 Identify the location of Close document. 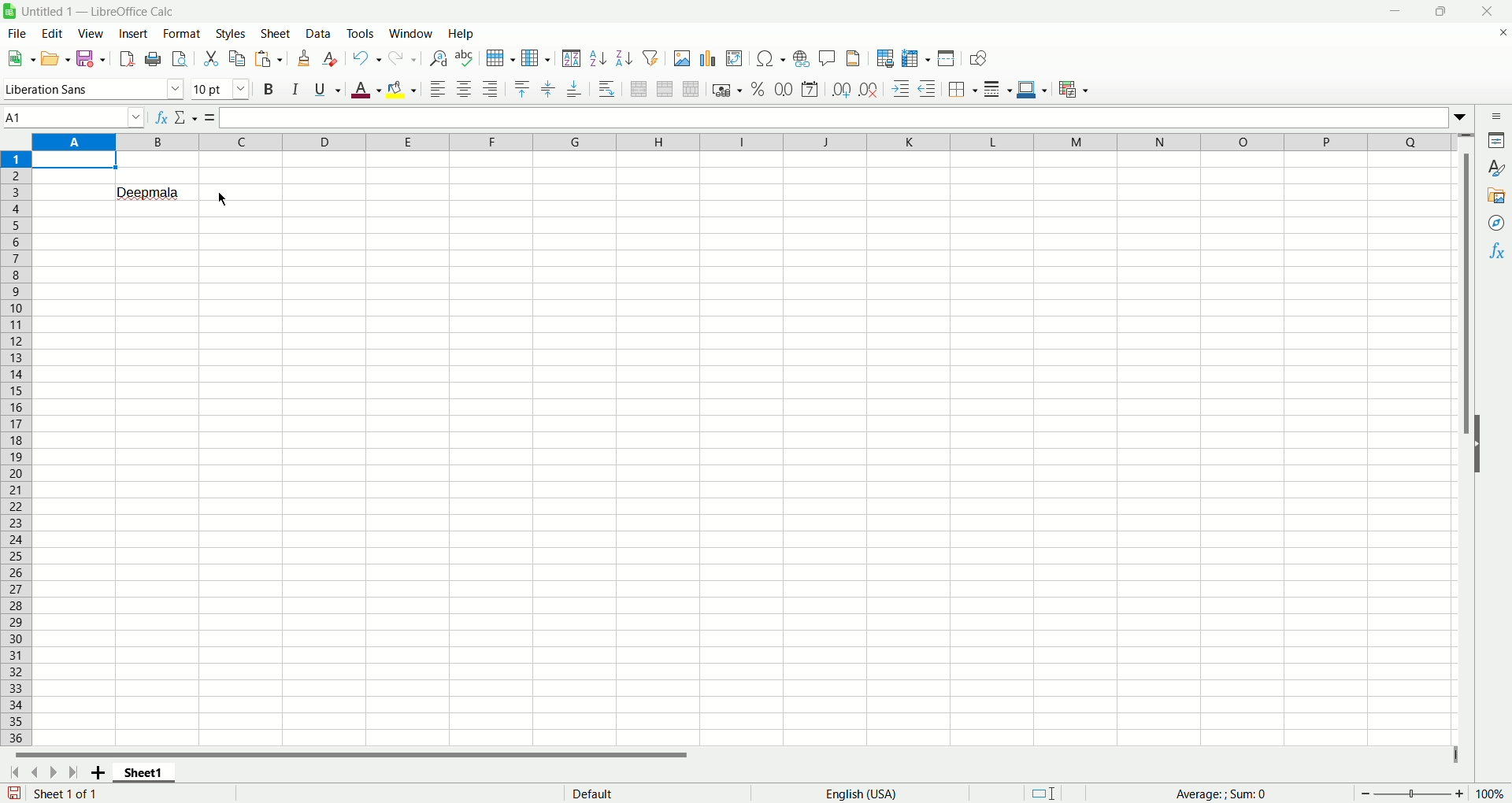
(1498, 33).